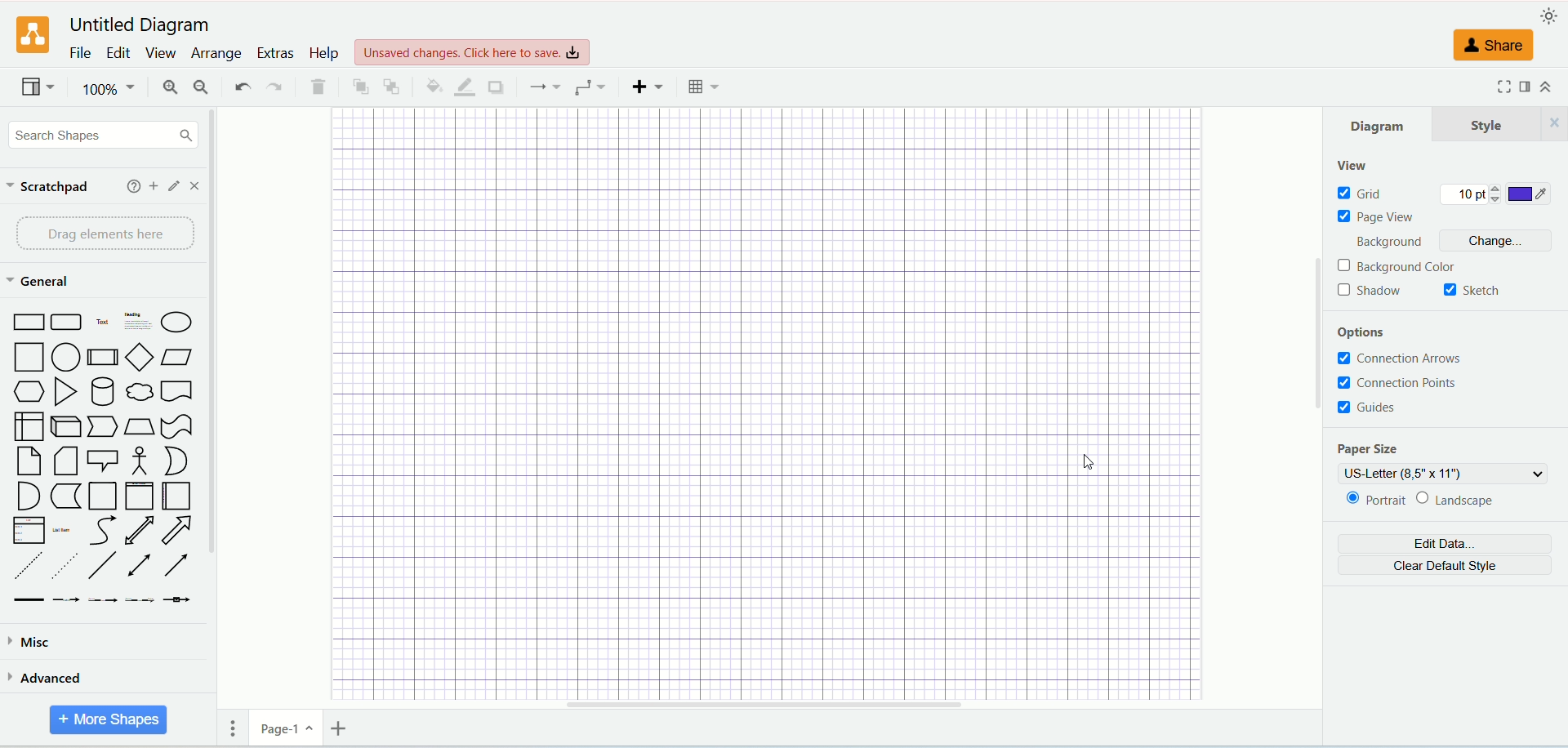 Image resolution: width=1568 pixels, height=748 pixels. Describe the element at coordinates (180, 568) in the screenshot. I see `Directional Connector` at that location.